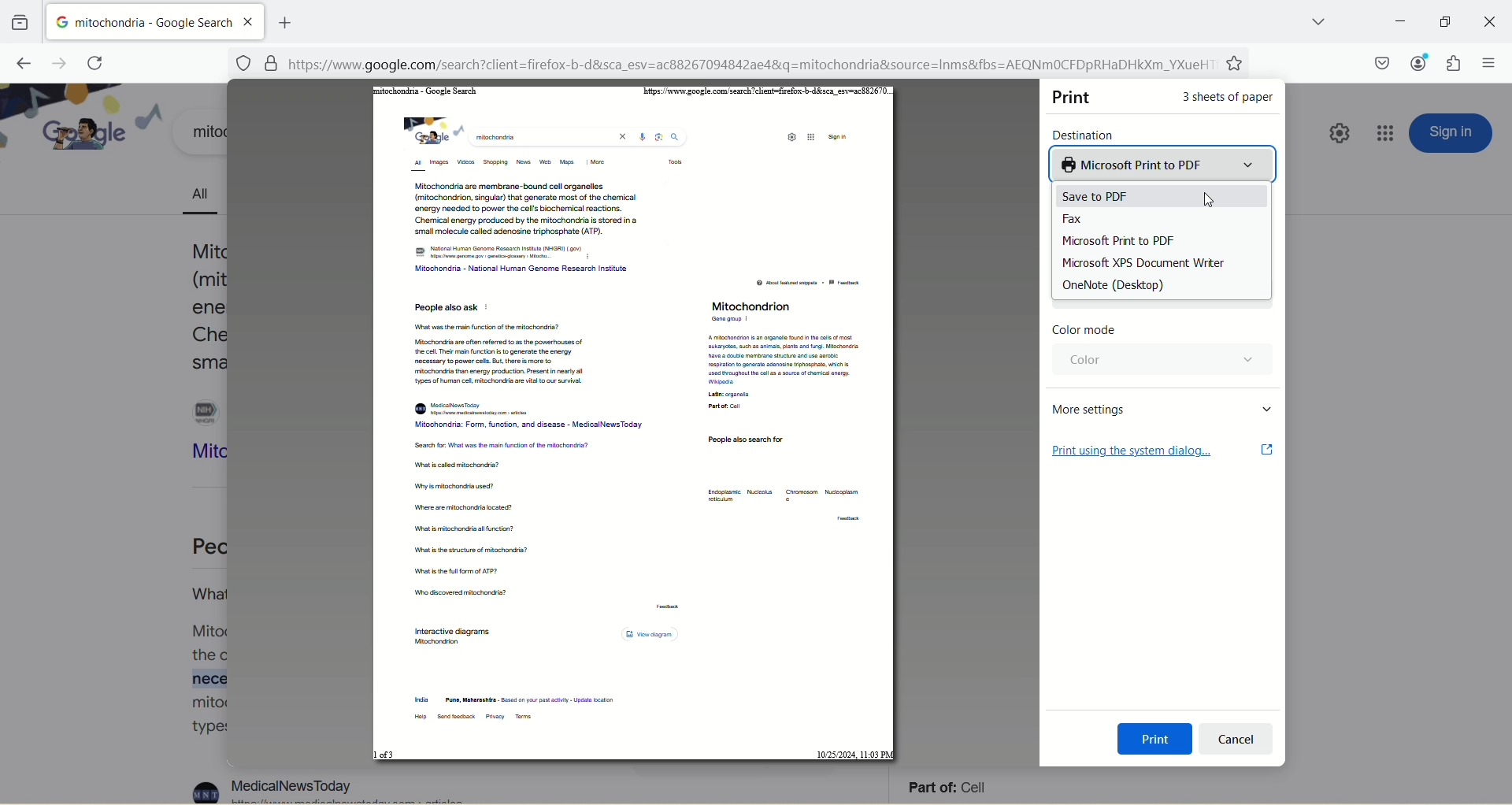 This screenshot has width=1512, height=805. Describe the element at coordinates (725, 65) in the screenshot. I see `[=] https://www.google.com/search?client=firefox-b-d&sca_esv=ac88267094842ae48&q=mitochondria&source=Inms&fbs=AEQNmMOCFDpRHaDHkXm_YXueH` at that location.